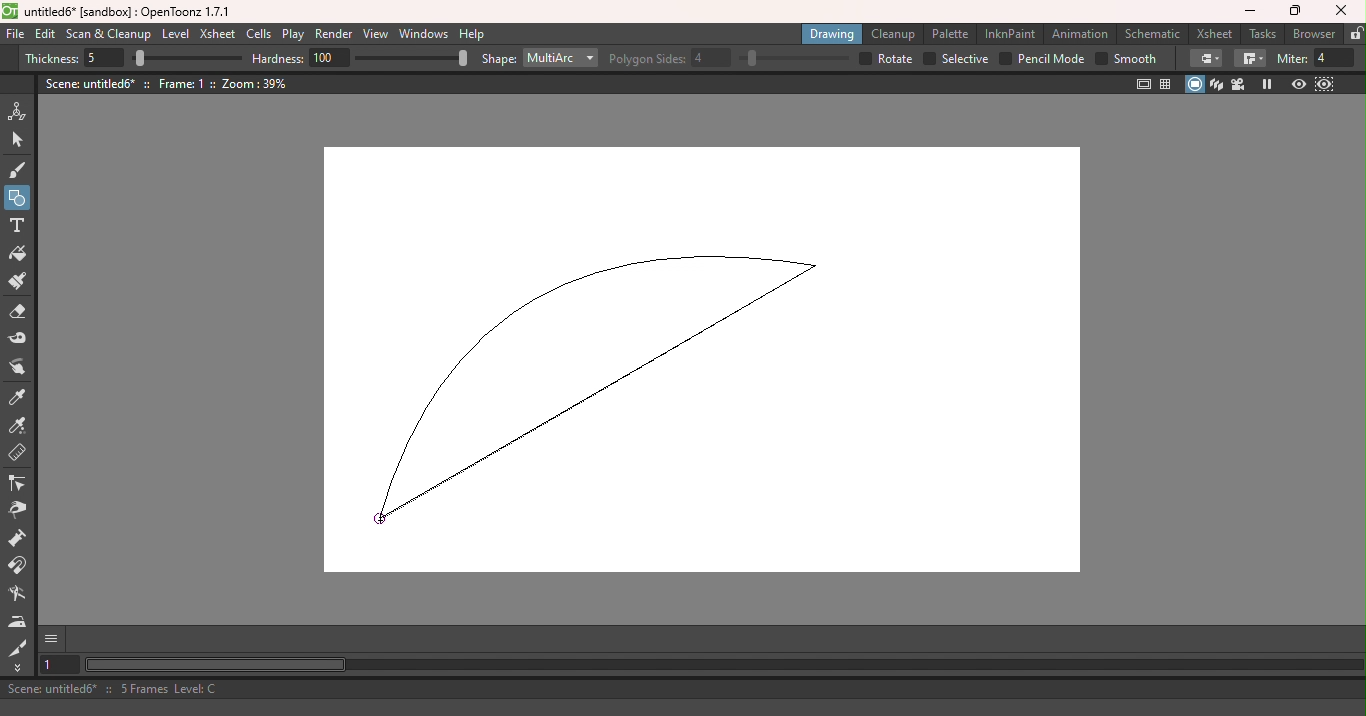 This screenshot has height=716, width=1366. Describe the element at coordinates (175, 34) in the screenshot. I see `Level` at that location.